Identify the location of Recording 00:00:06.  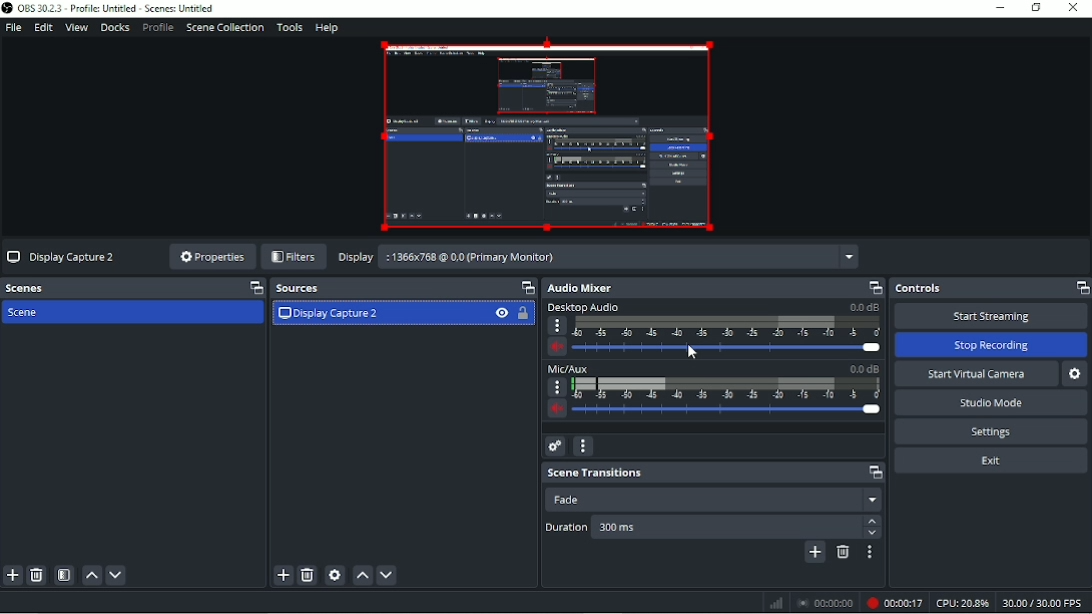
(892, 603).